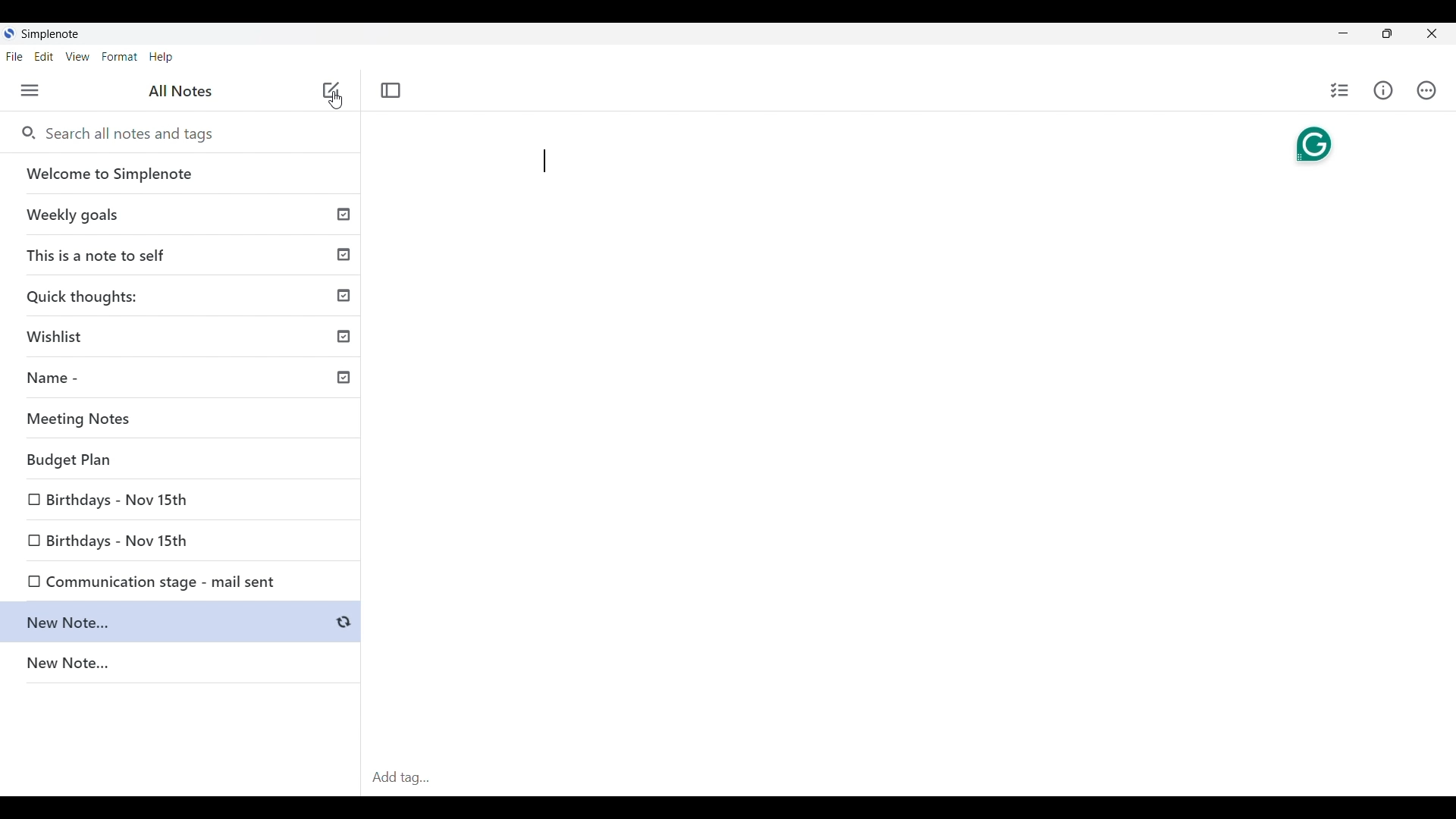 The width and height of the screenshot is (1456, 819). What do you see at coordinates (8, 33) in the screenshot?
I see `Software logo` at bounding box center [8, 33].